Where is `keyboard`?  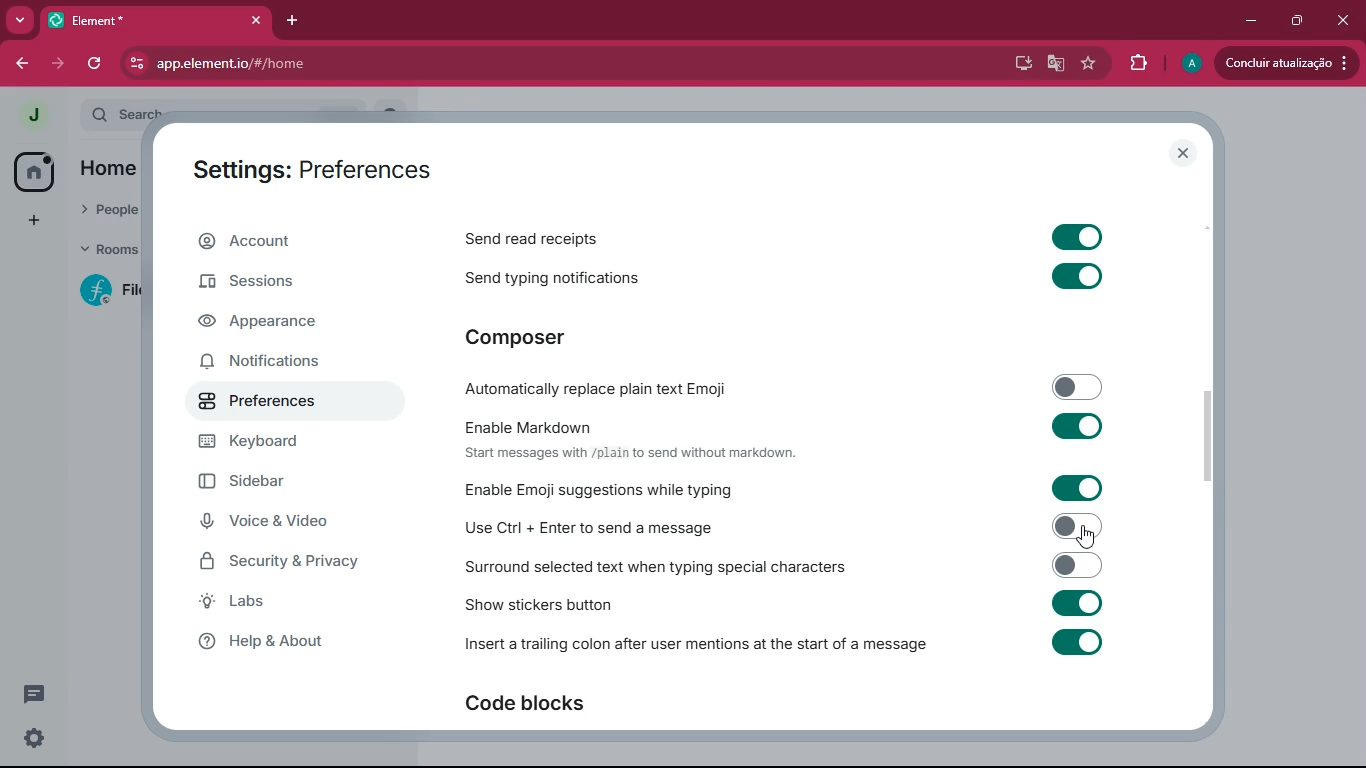
keyboard is located at coordinates (278, 445).